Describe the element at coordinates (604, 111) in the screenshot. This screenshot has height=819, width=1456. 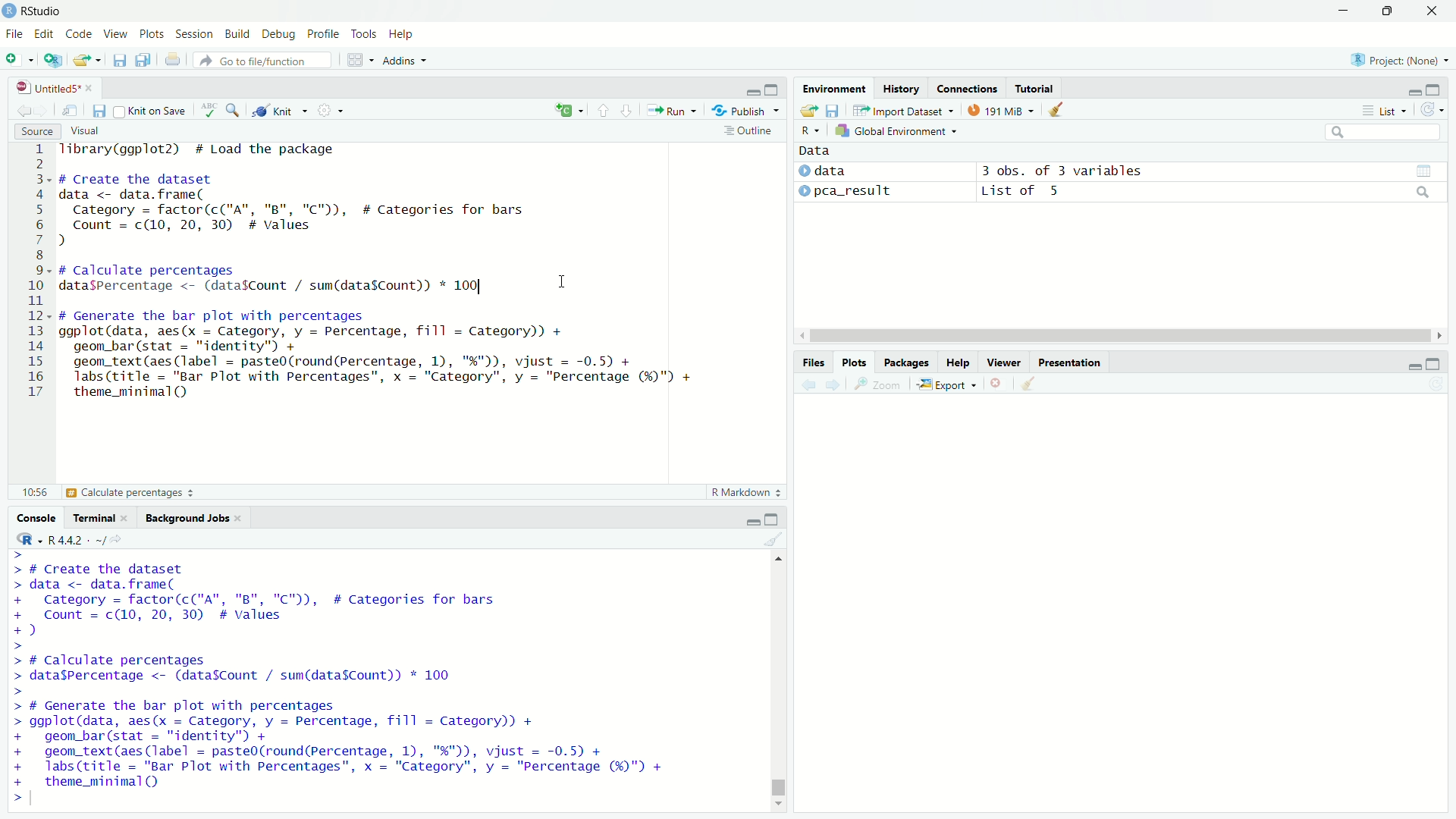
I see `go to previous section ` at that location.